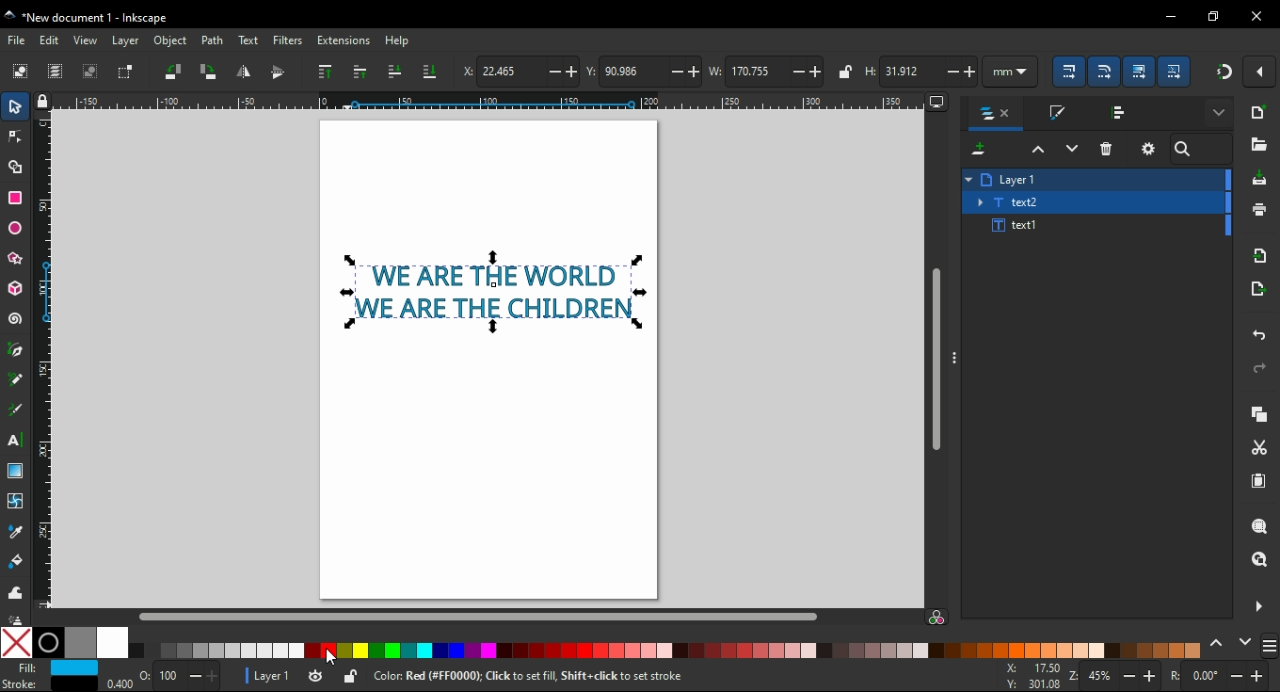 The width and height of the screenshot is (1280, 692). Describe the element at coordinates (44, 103) in the screenshot. I see `lock` at that location.